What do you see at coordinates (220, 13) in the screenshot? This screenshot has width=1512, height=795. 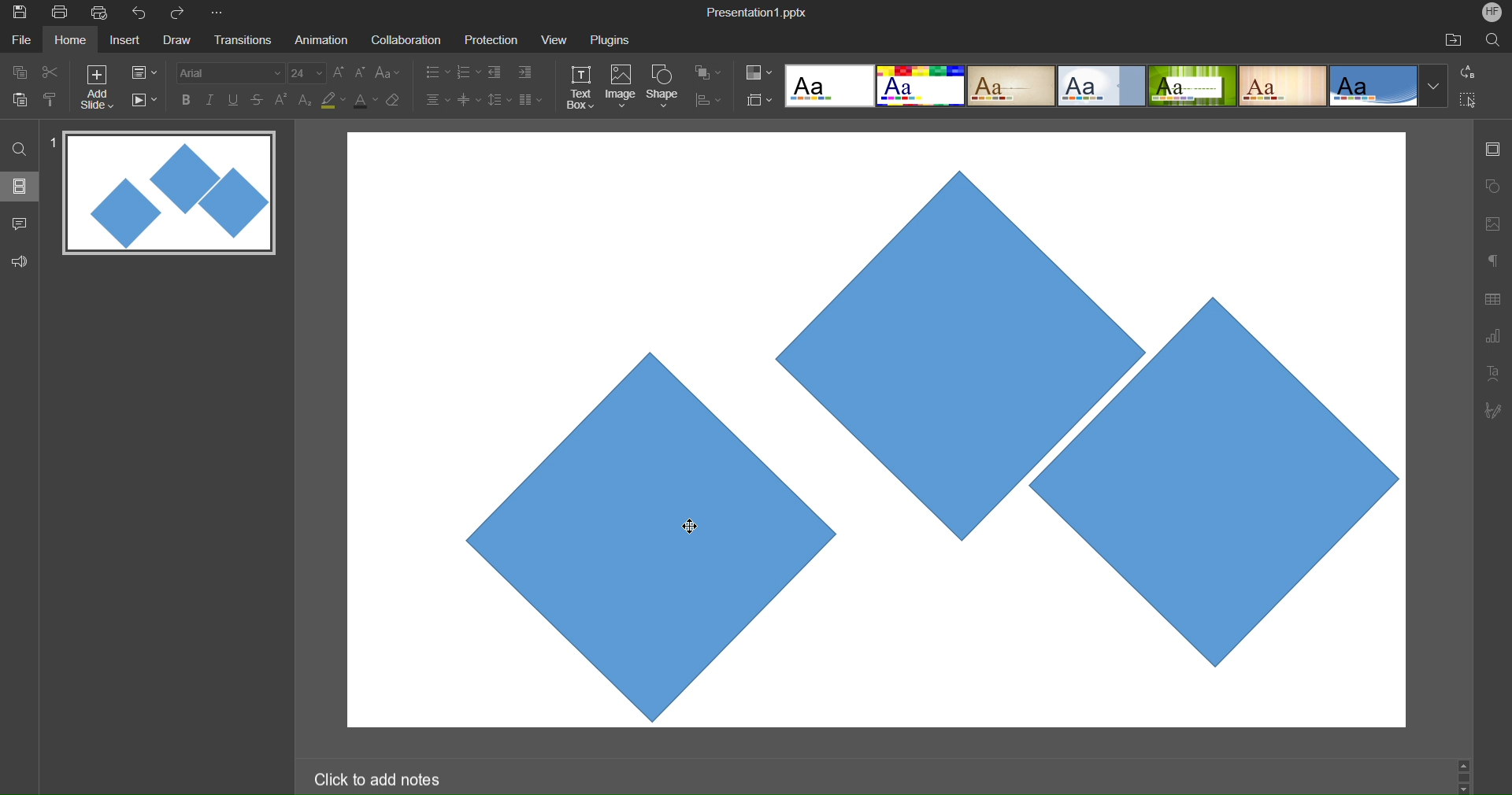 I see `More` at bounding box center [220, 13].